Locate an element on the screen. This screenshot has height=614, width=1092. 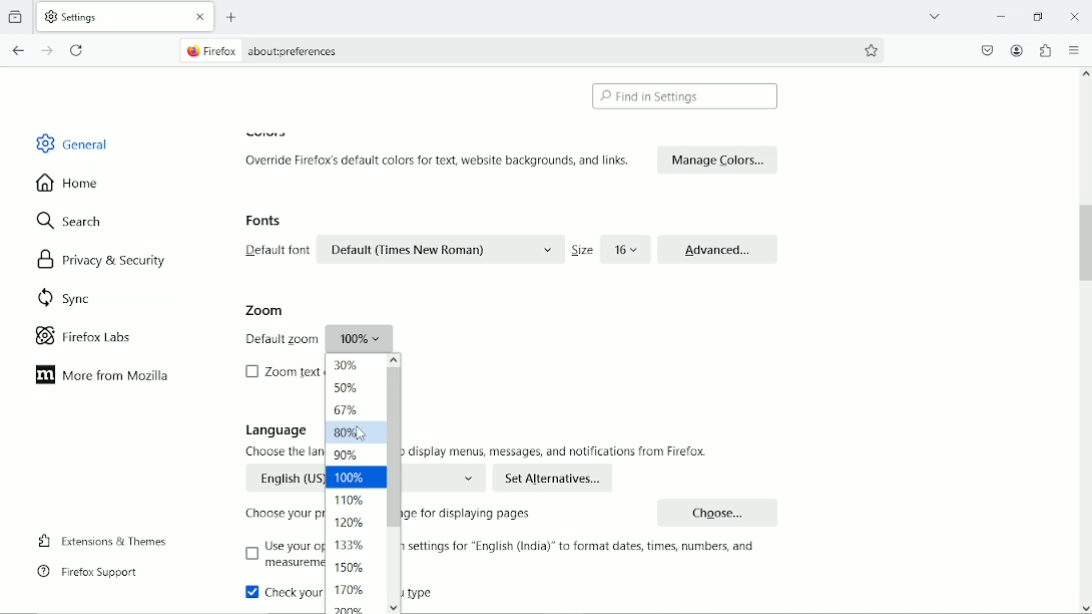
90% is located at coordinates (347, 454).